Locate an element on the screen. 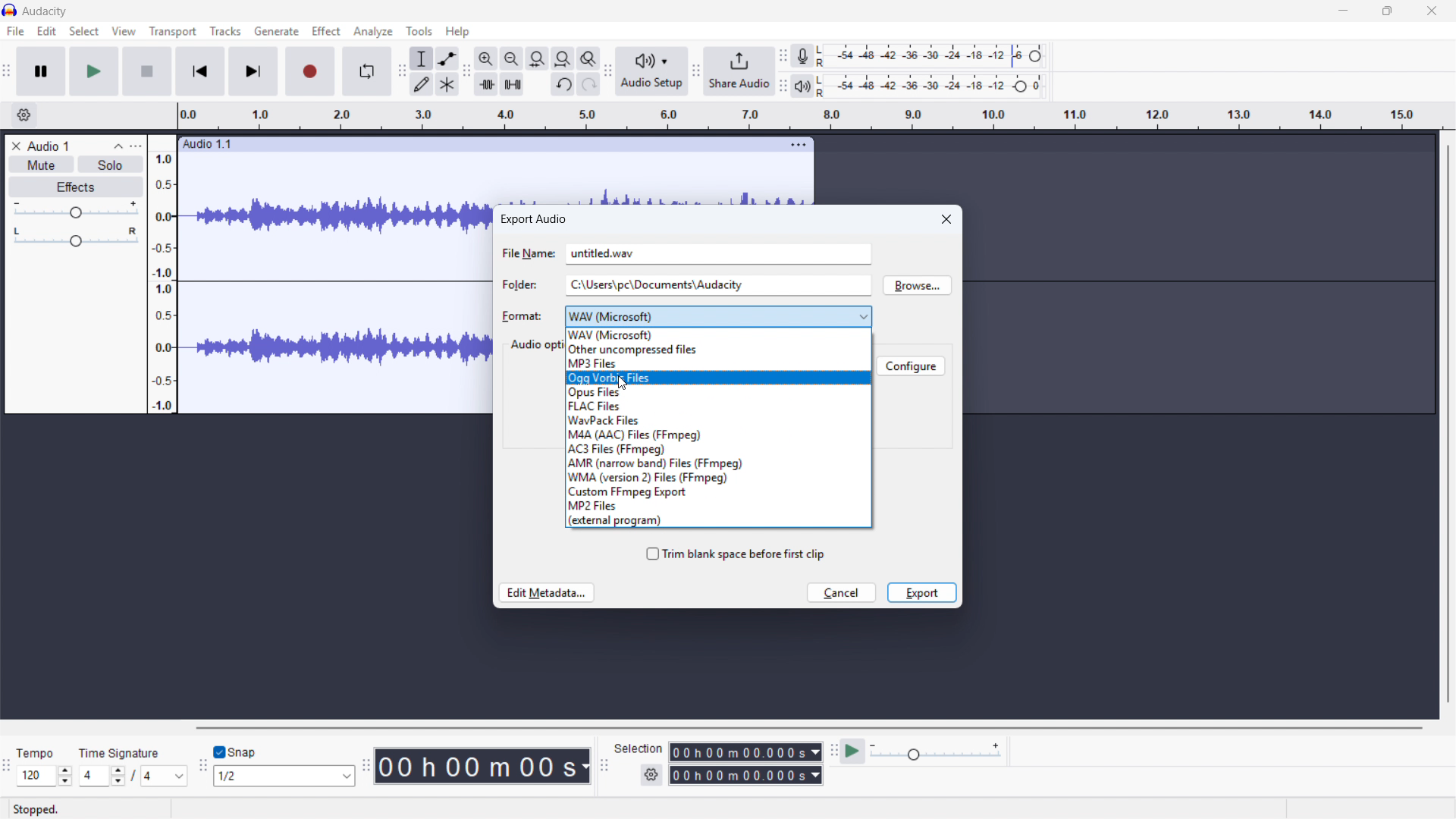 Image resolution: width=1456 pixels, height=819 pixels. Enable loop  is located at coordinates (368, 71).